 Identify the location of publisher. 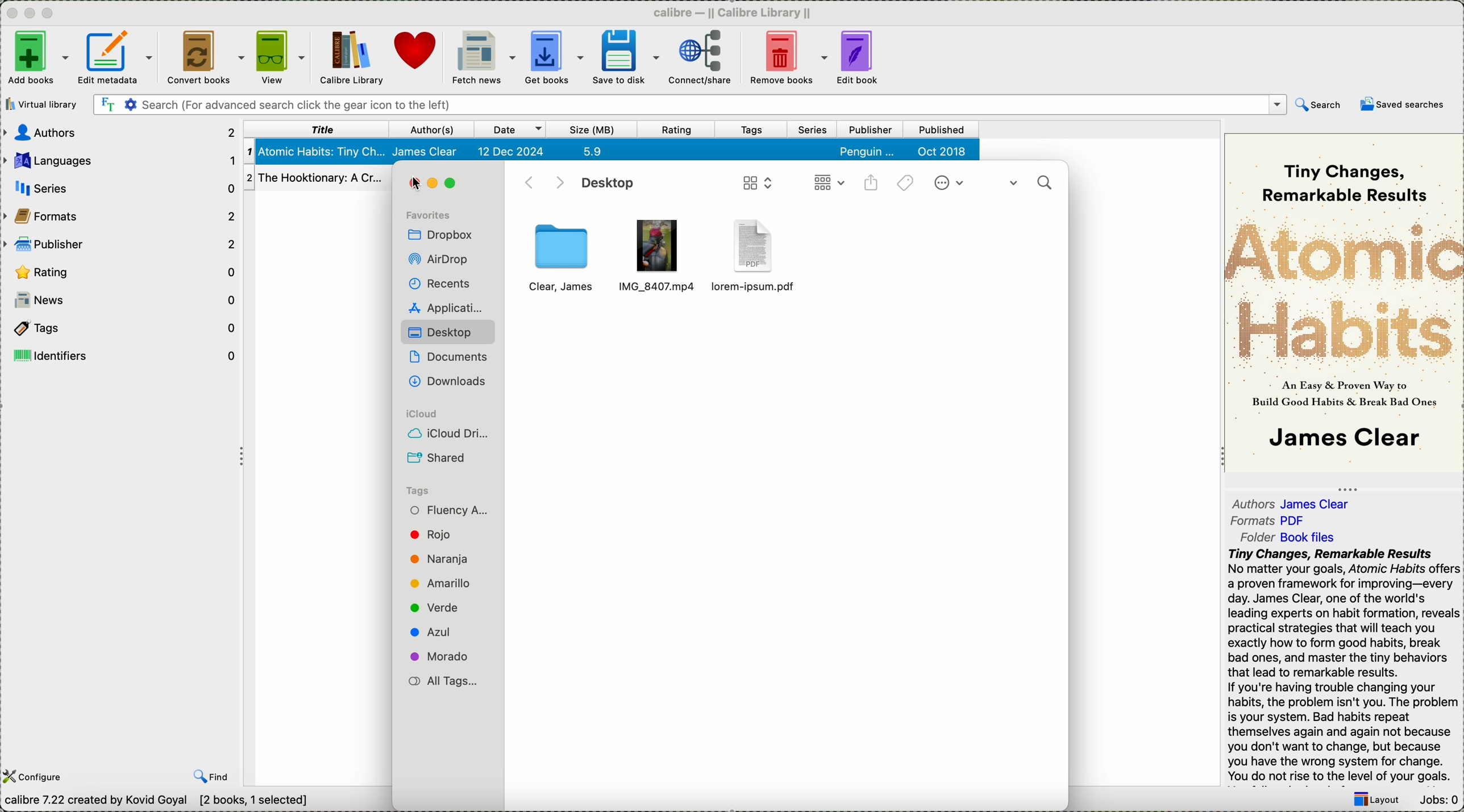
(870, 130).